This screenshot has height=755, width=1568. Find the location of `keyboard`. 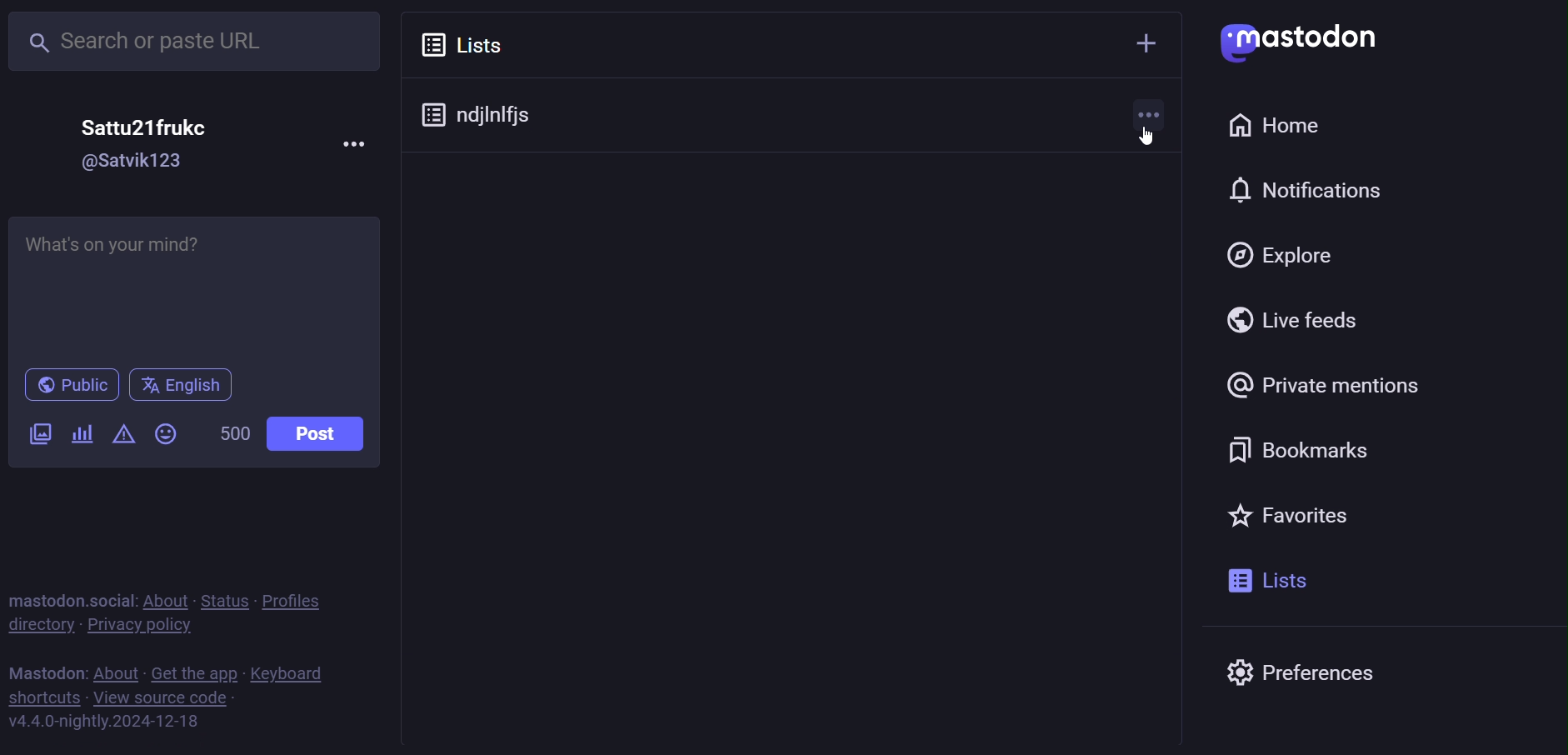

keyboard is located at coordinates (294, 673).